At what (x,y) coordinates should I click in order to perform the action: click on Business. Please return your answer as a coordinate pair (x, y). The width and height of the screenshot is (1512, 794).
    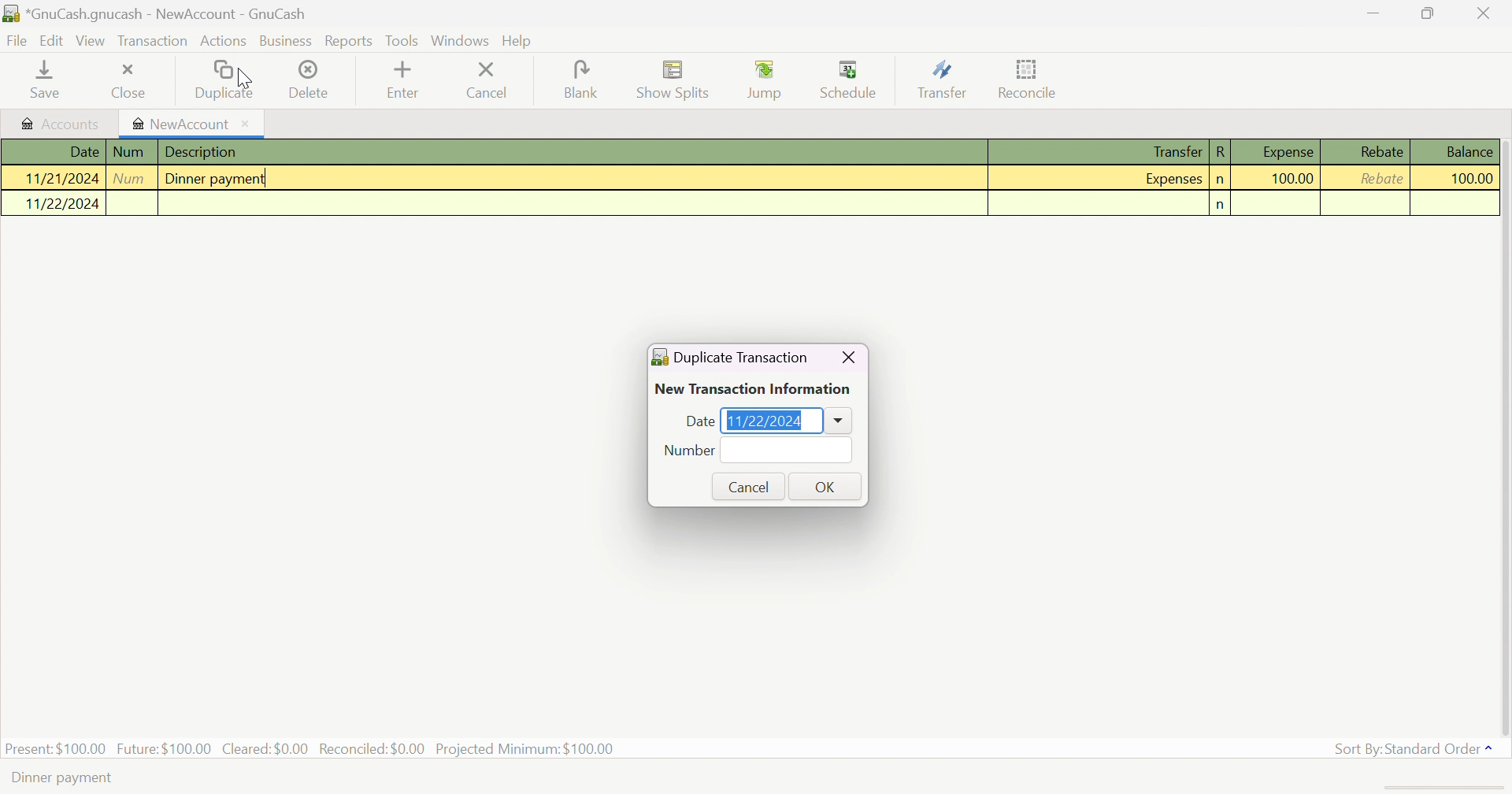
    Looking at the image, I should click on (285, 41).